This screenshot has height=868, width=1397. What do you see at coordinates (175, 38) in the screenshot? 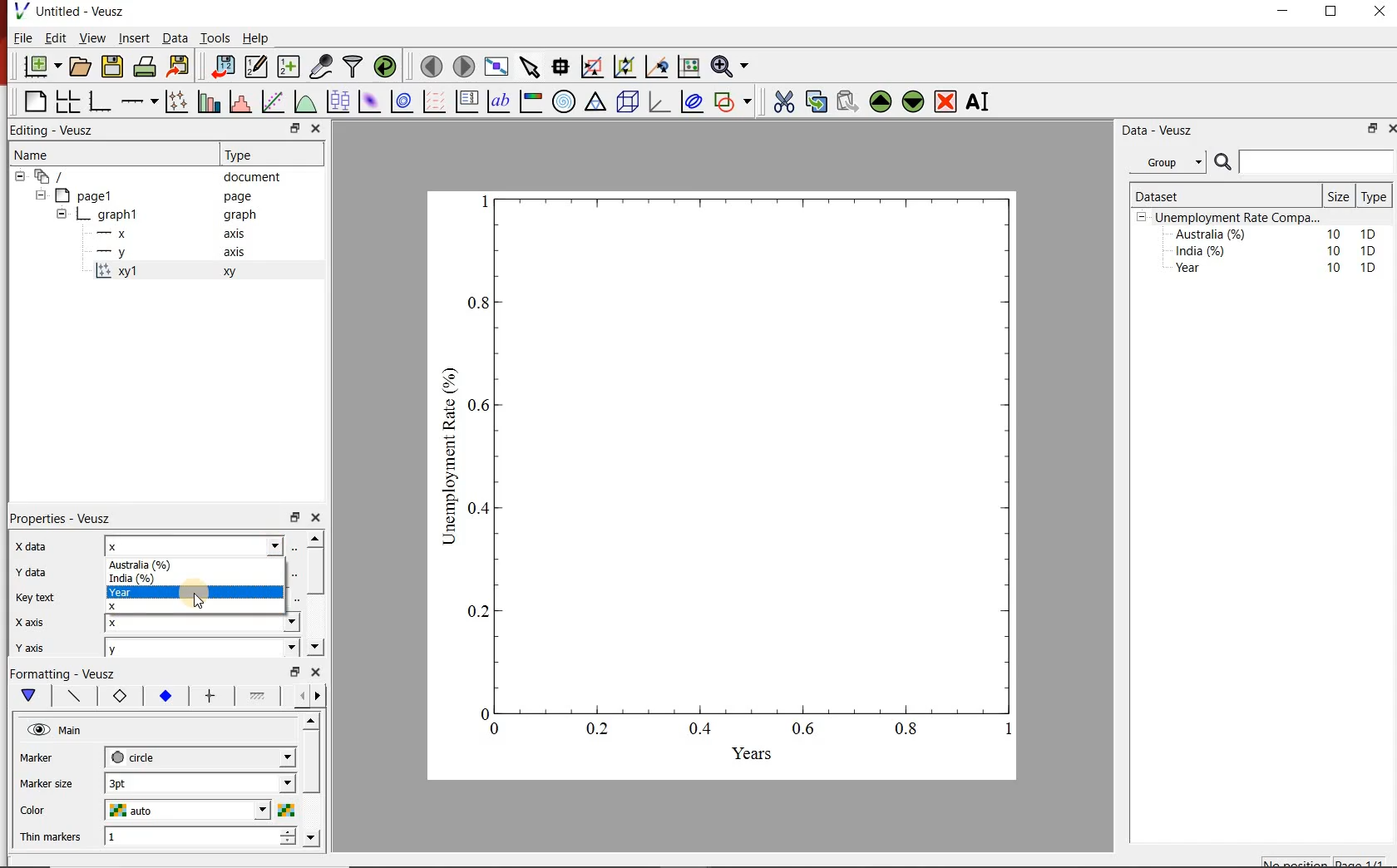
I see `Data` at bounding box center [175, 38].